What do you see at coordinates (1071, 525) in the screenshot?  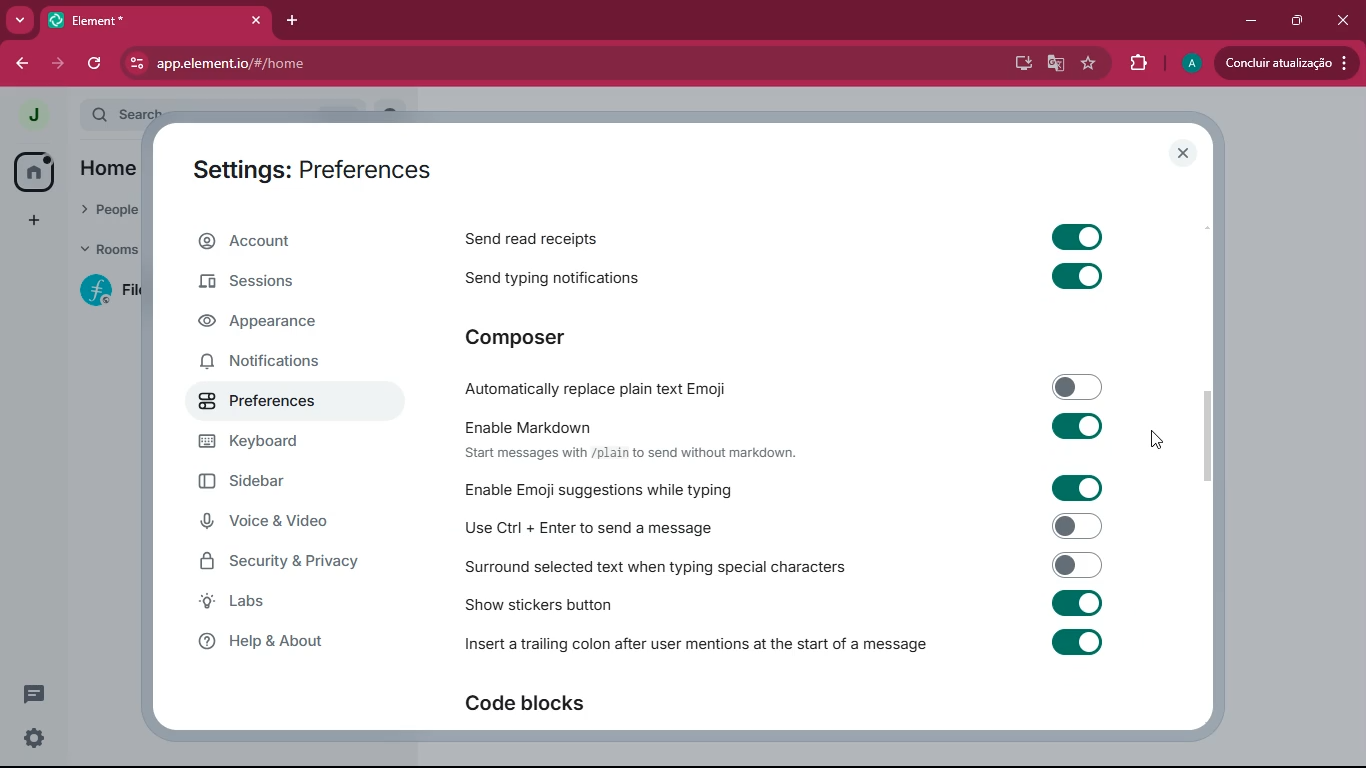 I see `toggle on or off` at bounding box center [1071, 525].